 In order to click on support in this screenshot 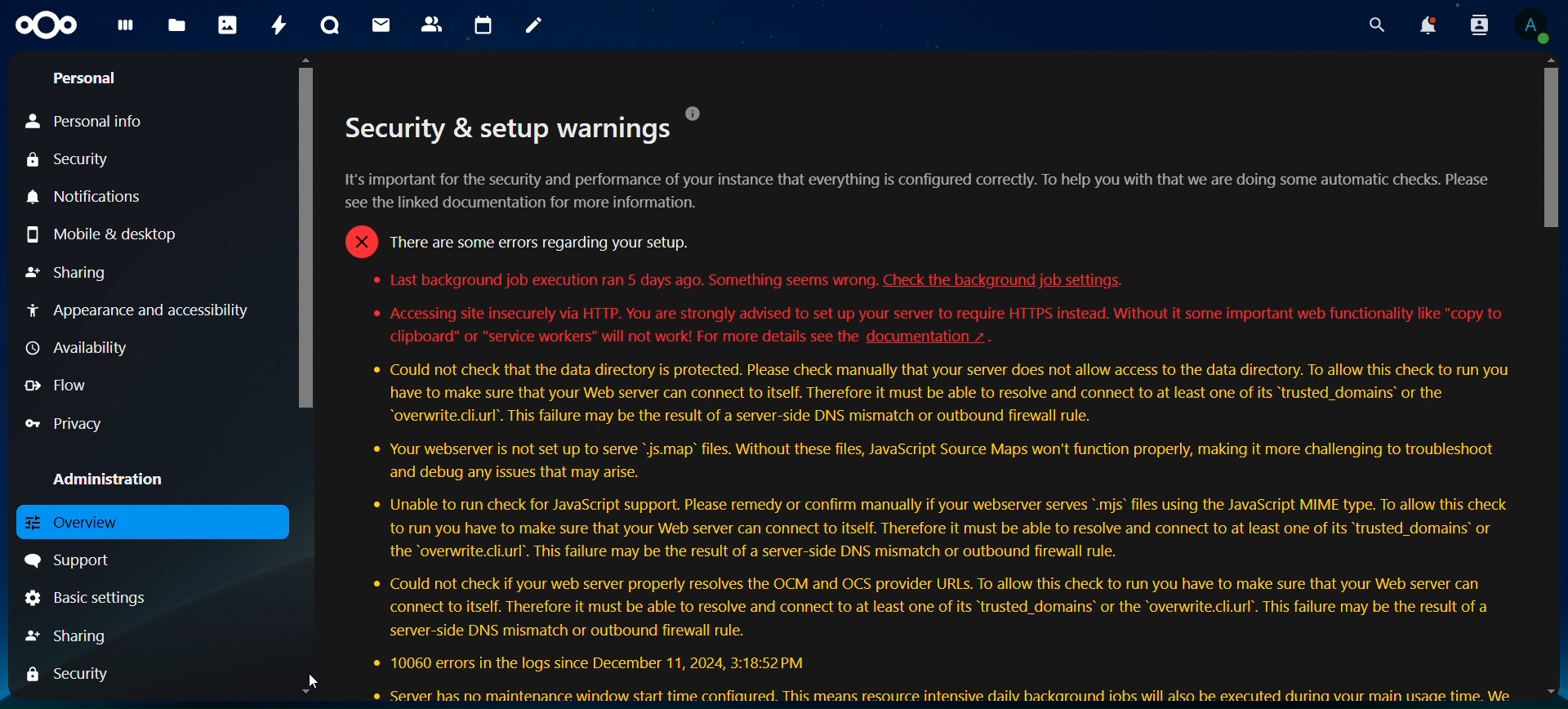, I will do `click(80, 562)`.